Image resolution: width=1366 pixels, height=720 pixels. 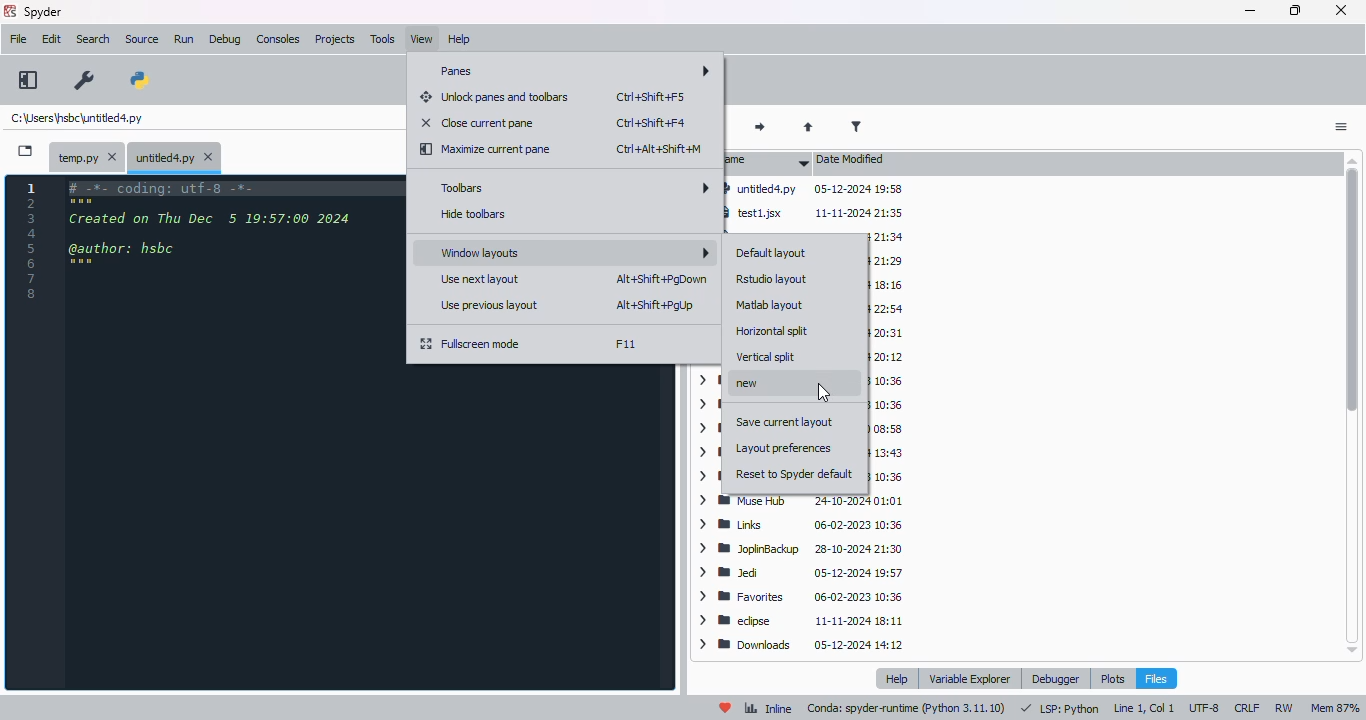 I want to click on Music, so click(x=884, y=475).